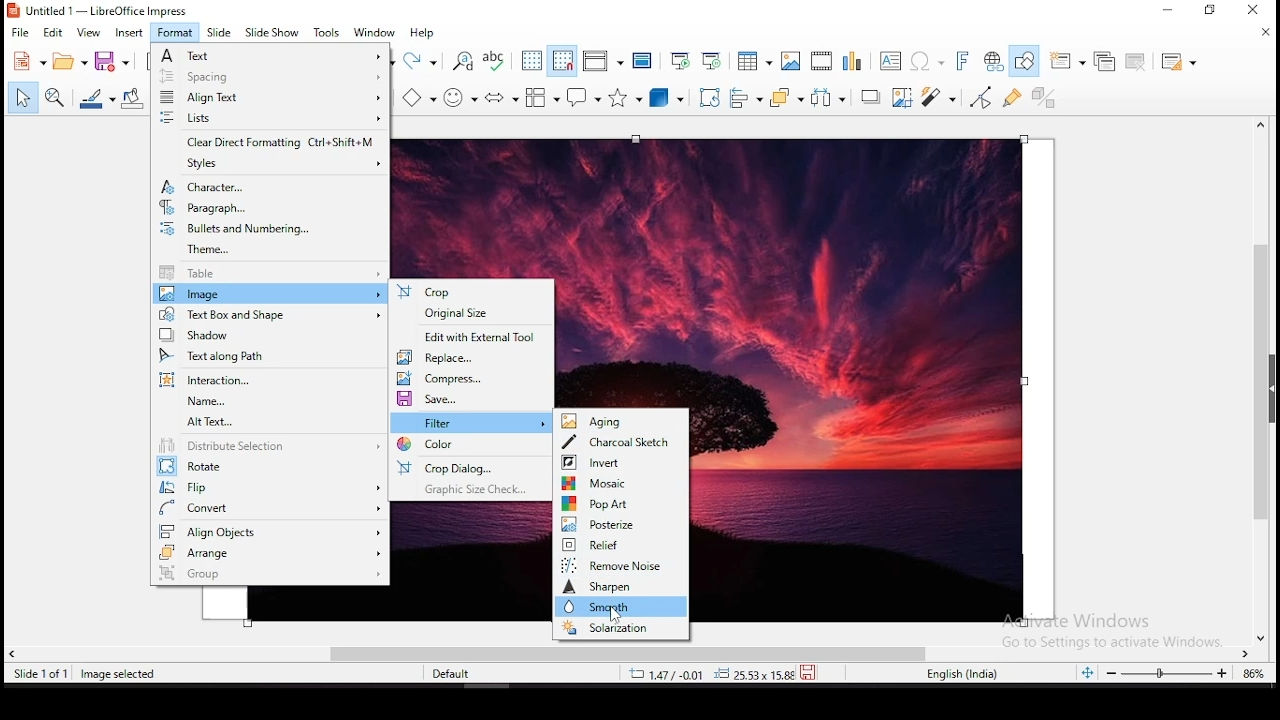 The image size is (1280, 720). What do you see at coordinates (472, 489) in the screenshot?
I see `graphic size check` at bounding box center [472, 489].